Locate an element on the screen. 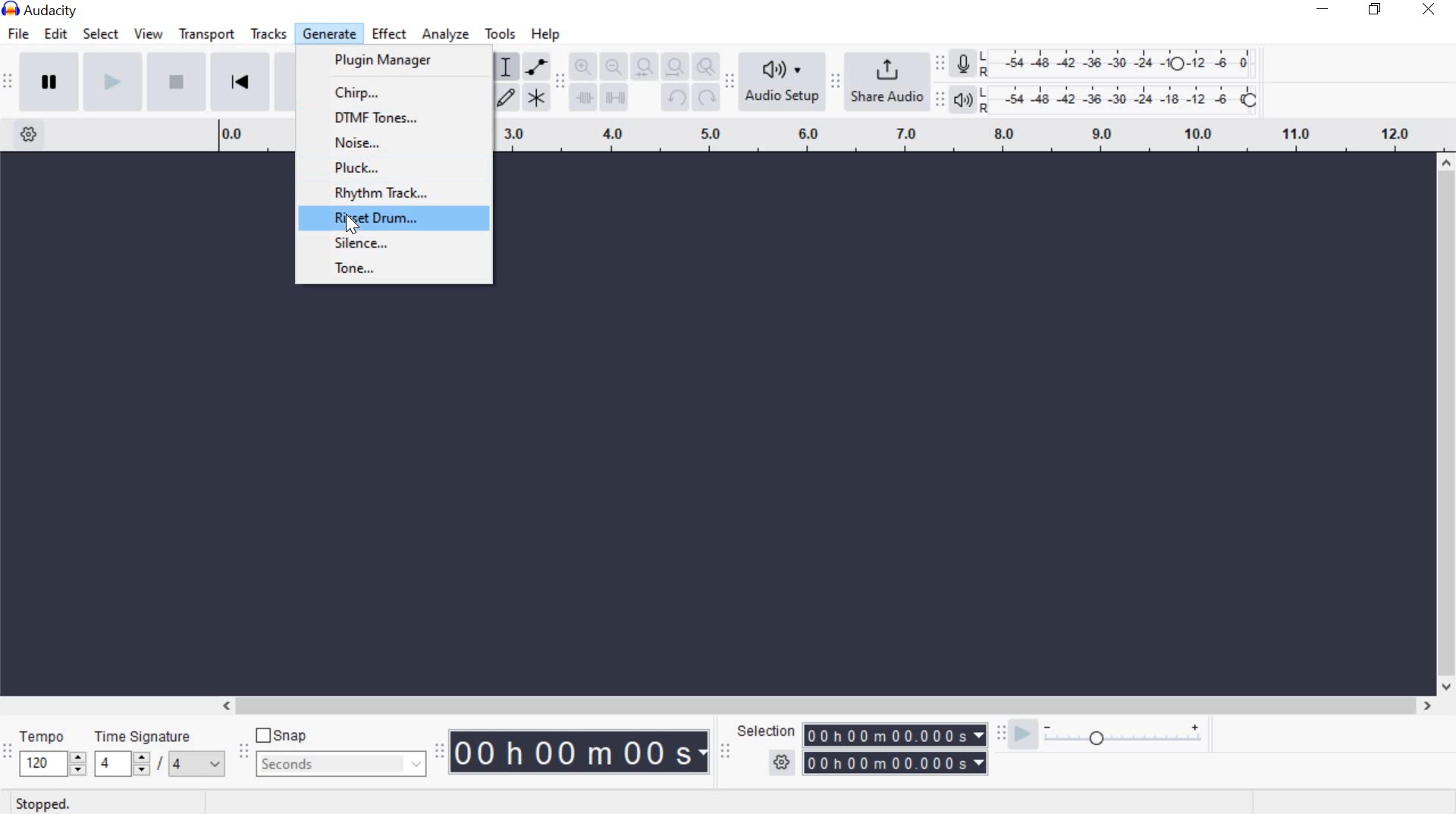 This screenshot has width=1456, height=814. Play-at-speed is located at coordinates (1022, 735).